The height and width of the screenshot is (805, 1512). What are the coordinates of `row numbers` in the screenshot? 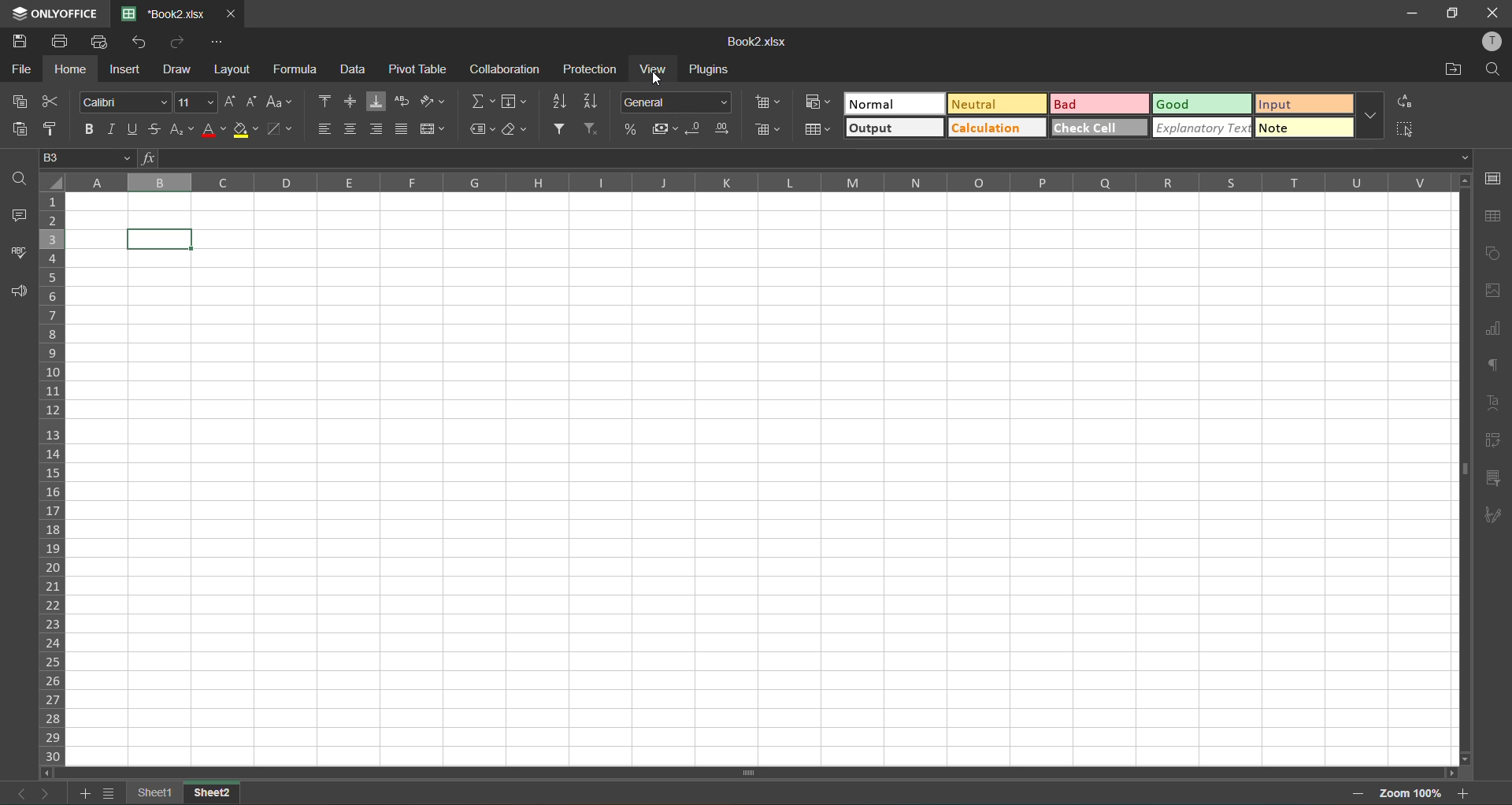 It's located at (54, 478).